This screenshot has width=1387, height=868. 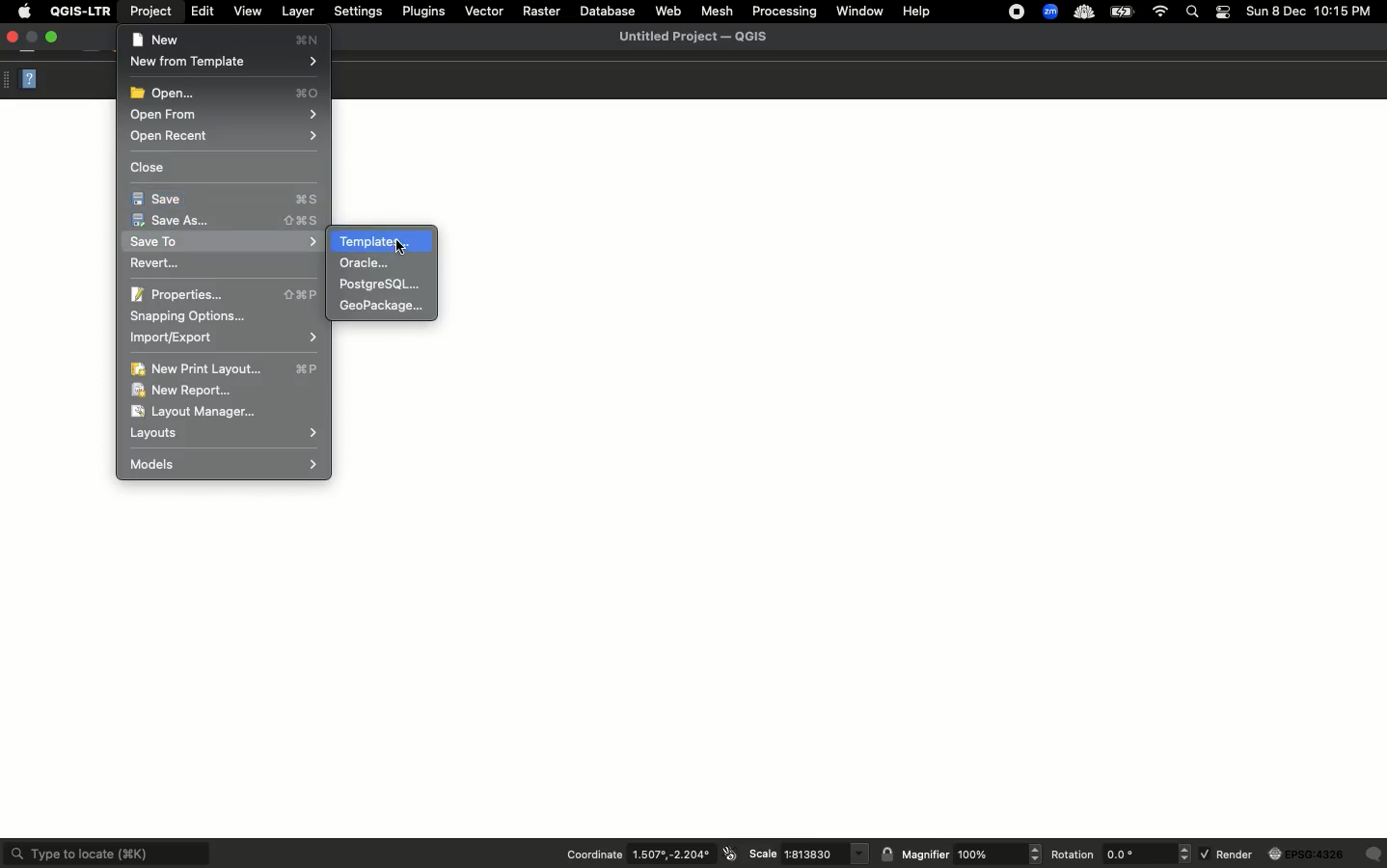 I want to click on Close, so click(x=151, y=167).